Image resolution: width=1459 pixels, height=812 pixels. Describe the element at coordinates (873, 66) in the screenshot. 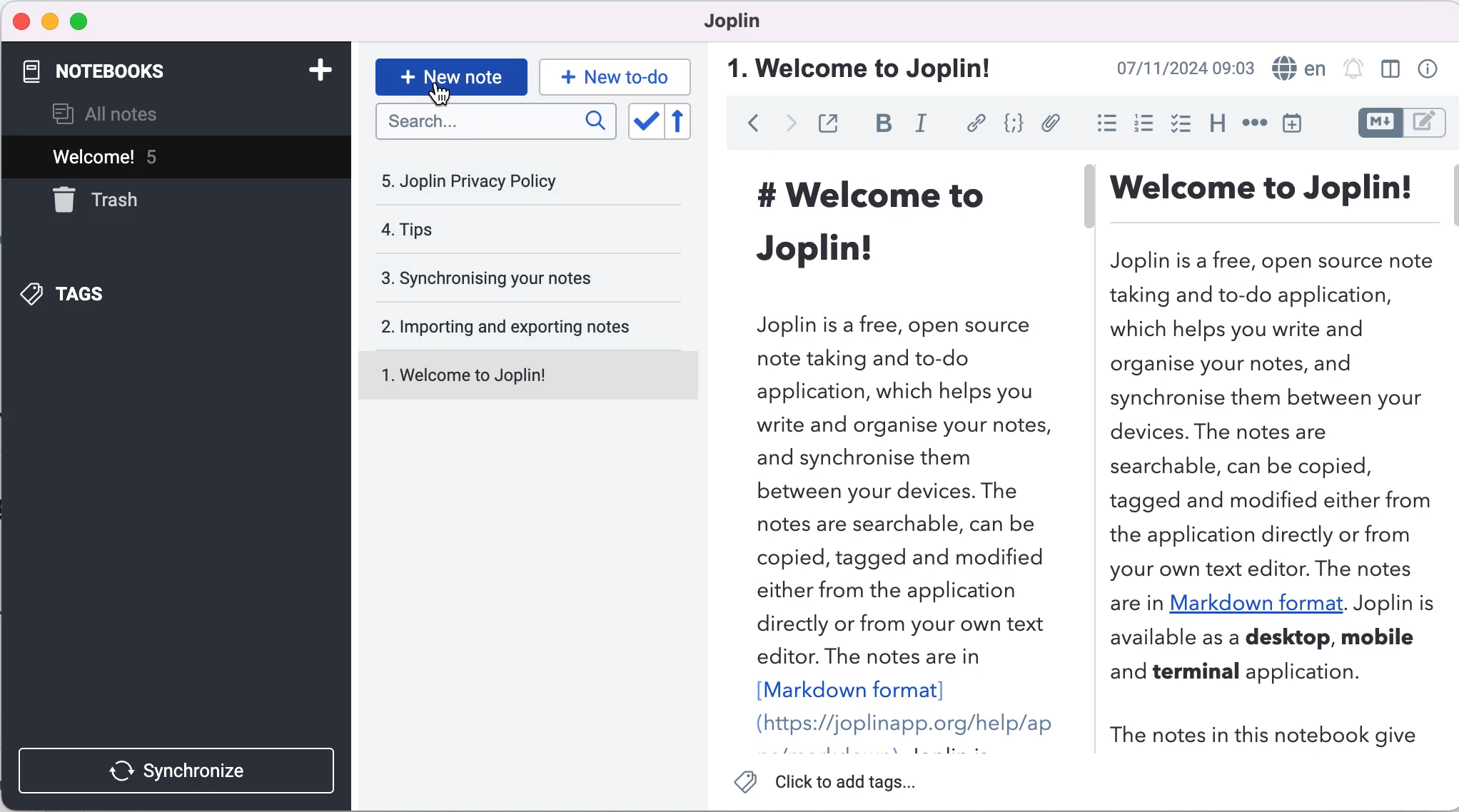

I see `welcome to joplin` at that location.